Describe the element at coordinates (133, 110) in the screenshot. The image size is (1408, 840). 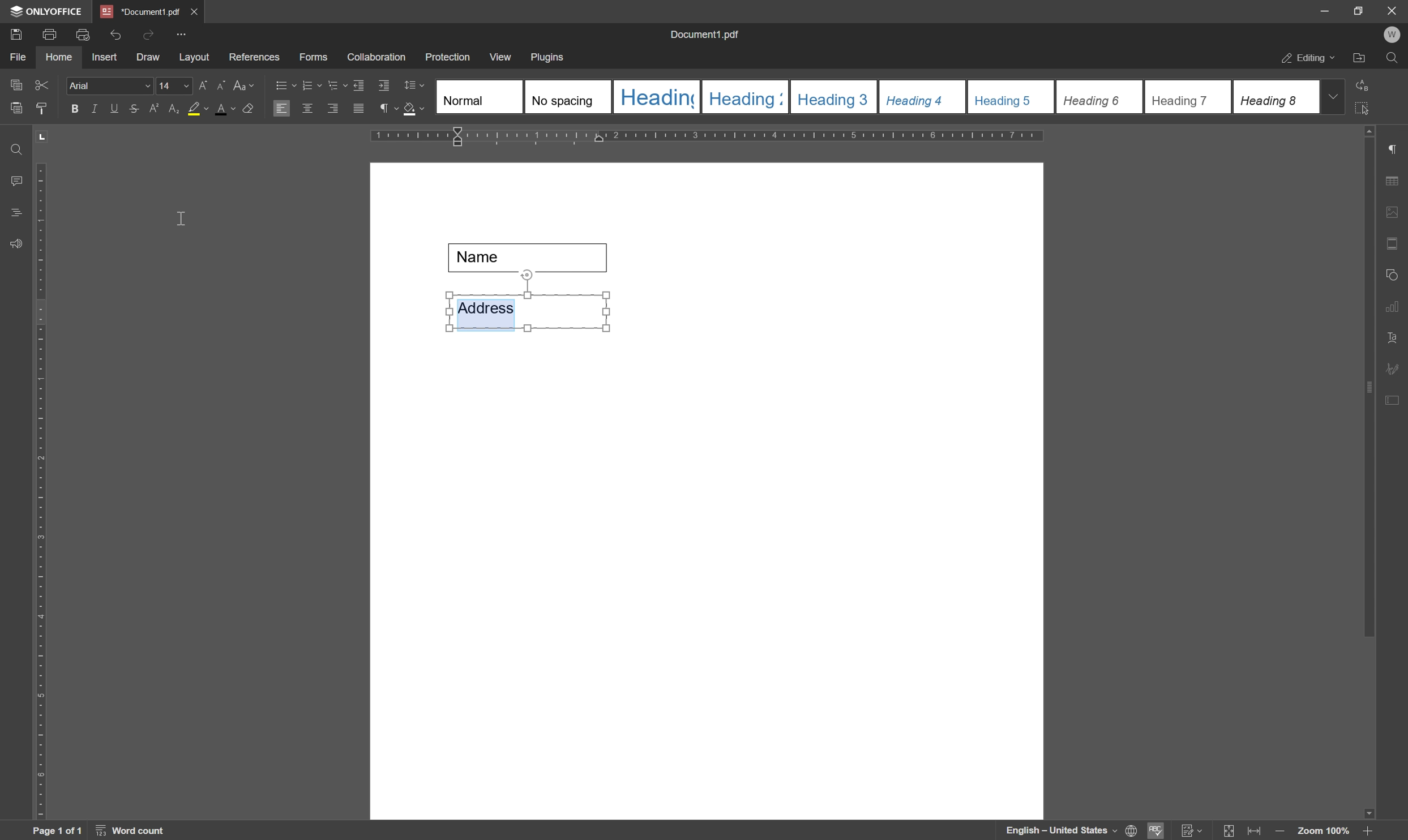
I see `strikethrough` at that location.